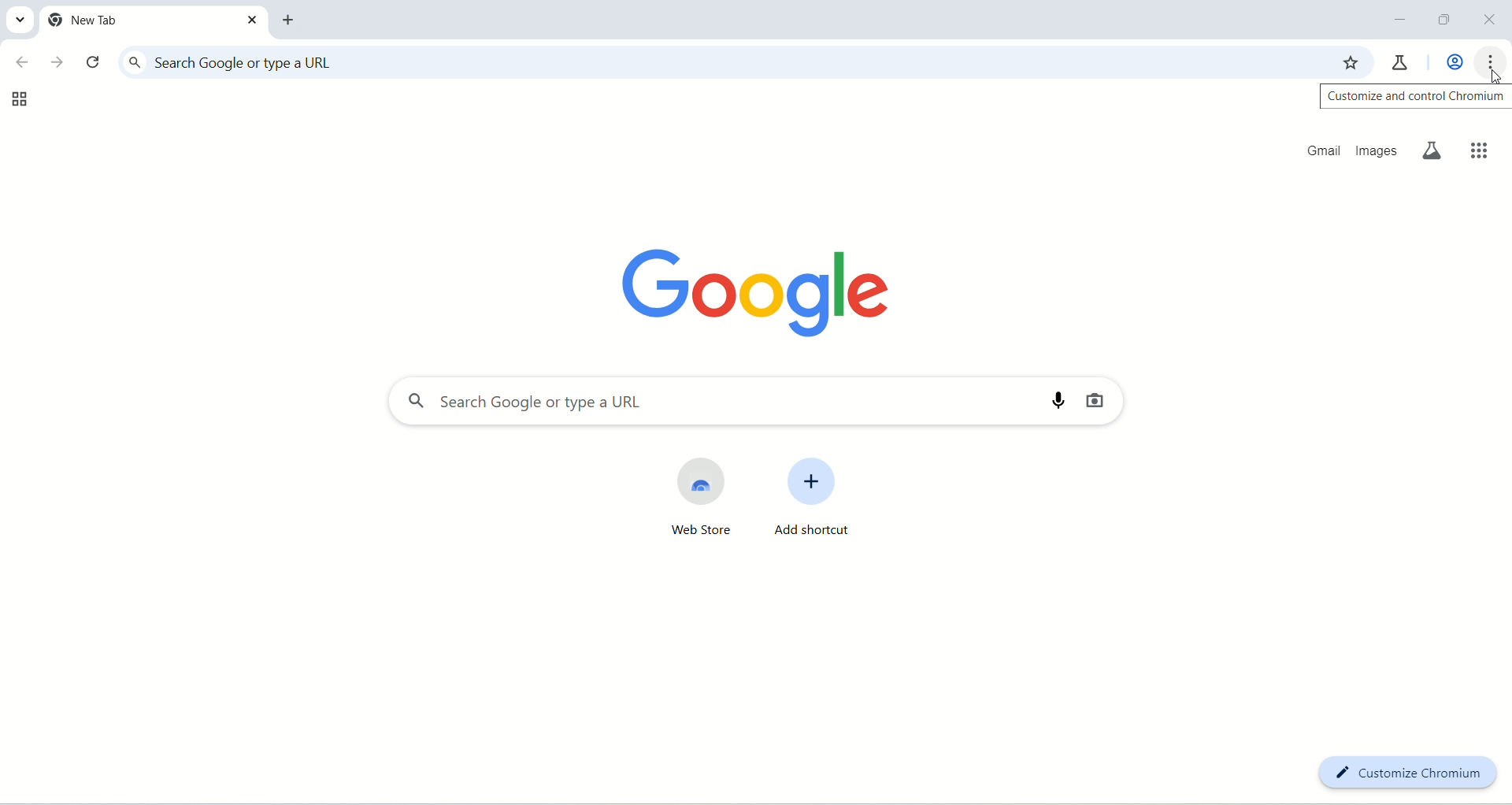 Image resolution: width=1512 pixels, height=805 pixels. I want to click on chrome labs, so click(1403, 60).